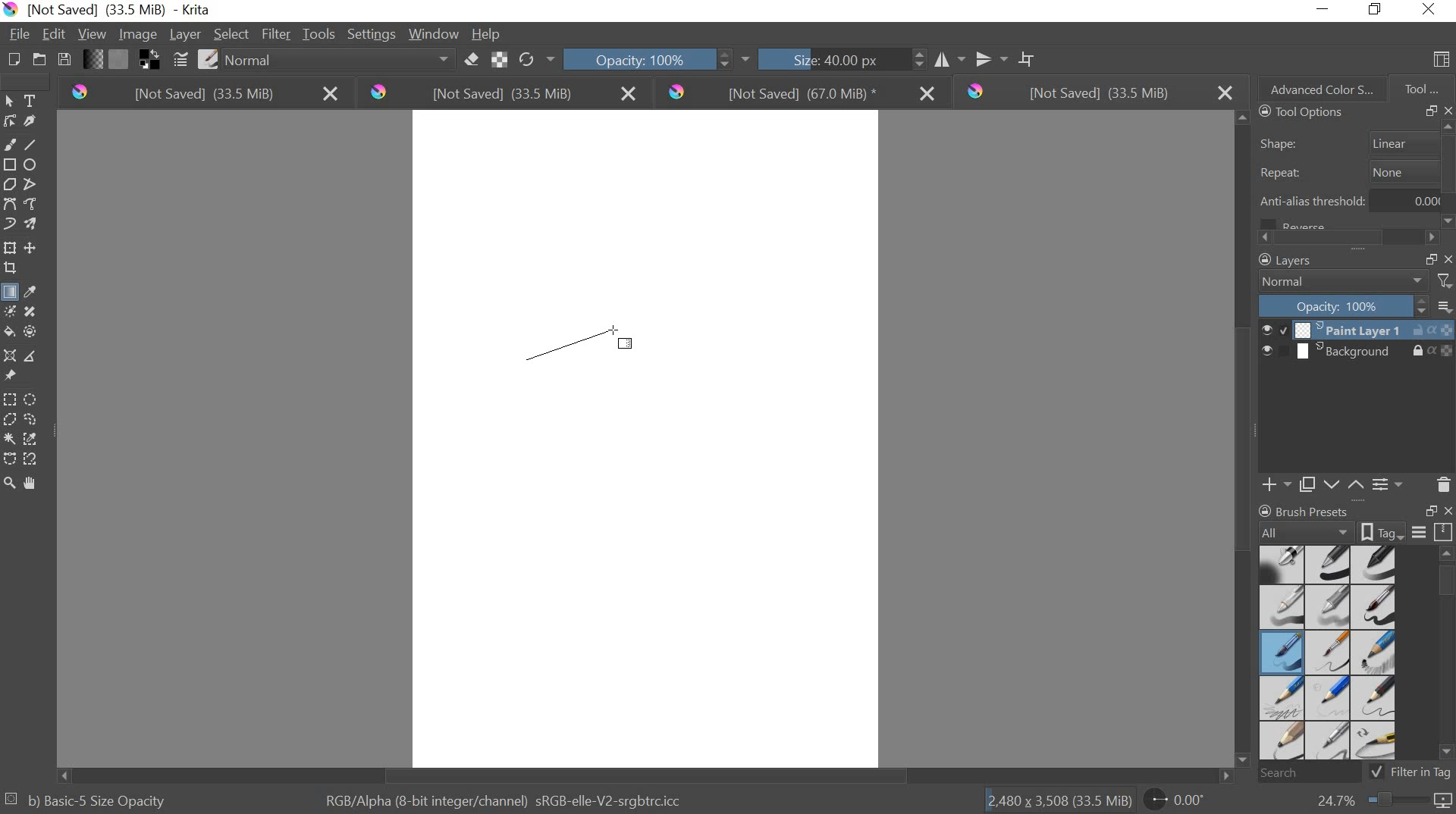  Describe the element at coordinates (1423, 88) in the screenshot. I see `TOOL` at that location.